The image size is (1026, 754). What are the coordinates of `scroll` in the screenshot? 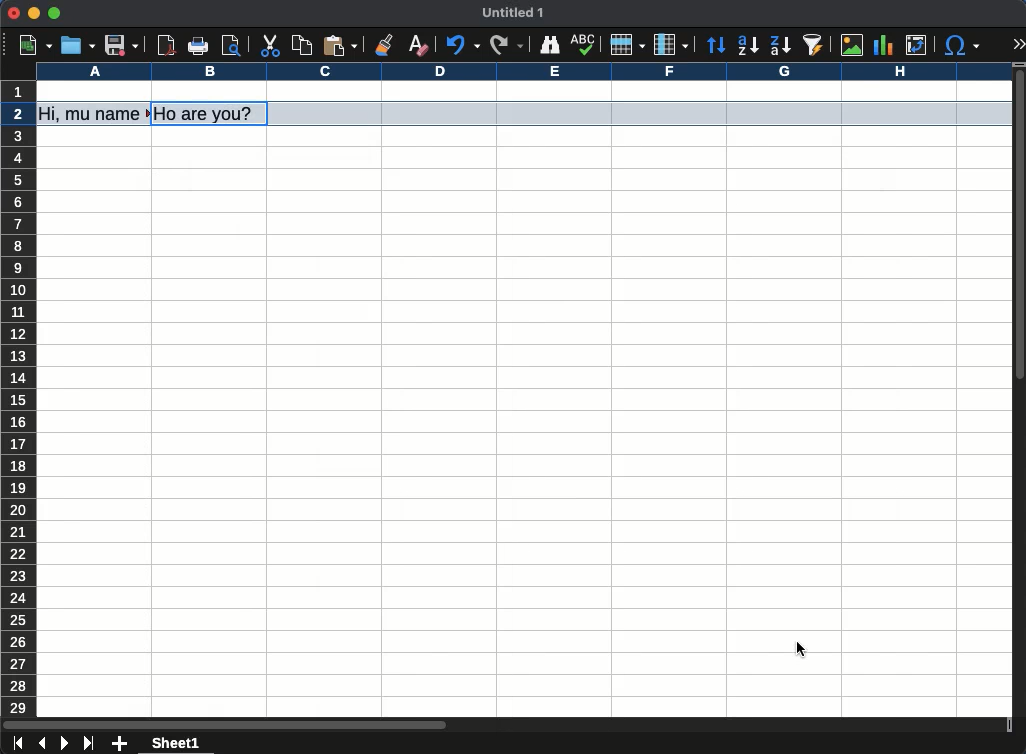 It's located at (1020, 391).